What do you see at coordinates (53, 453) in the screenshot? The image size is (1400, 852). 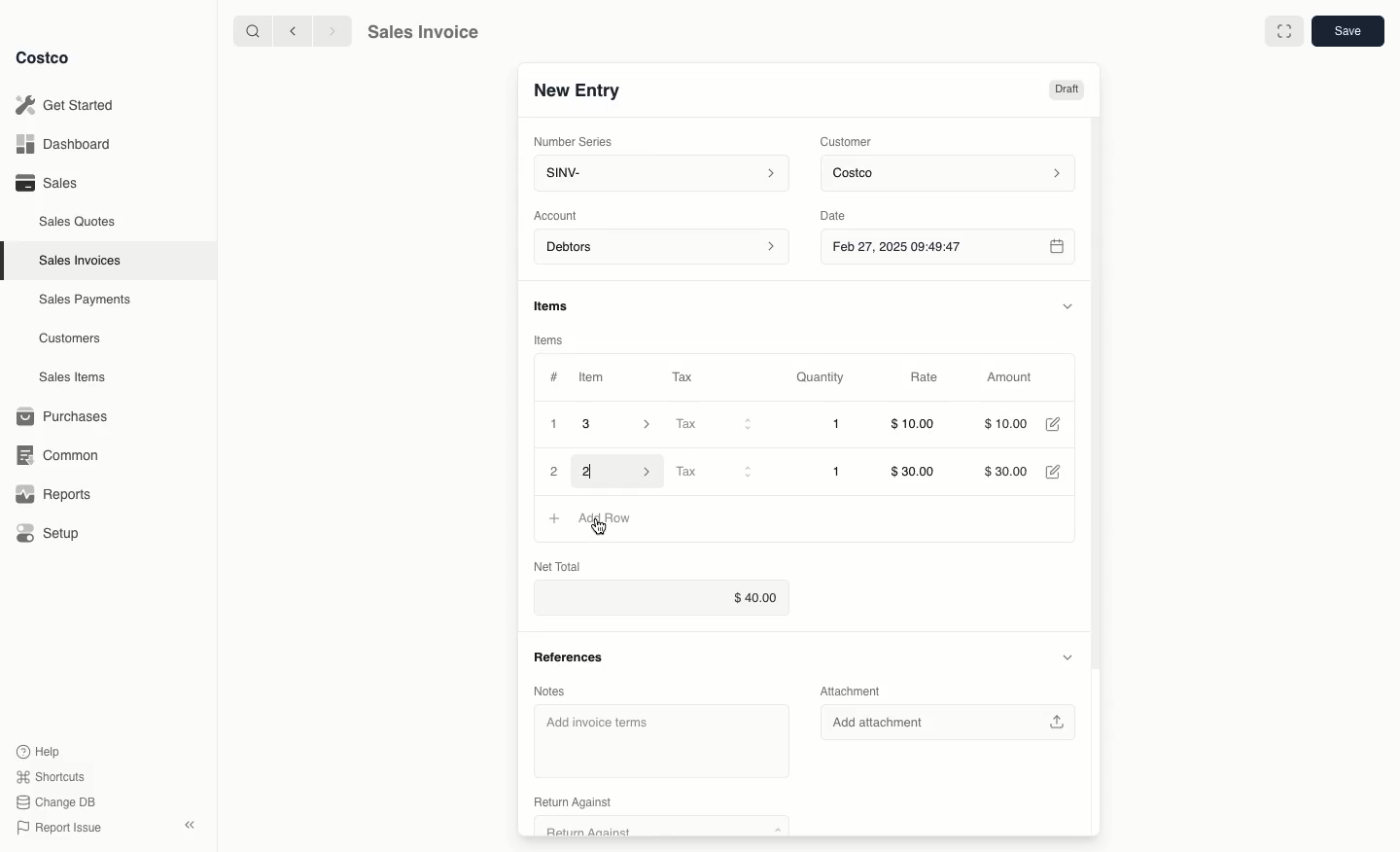 I see `Common` at bounding box center [53, 453].